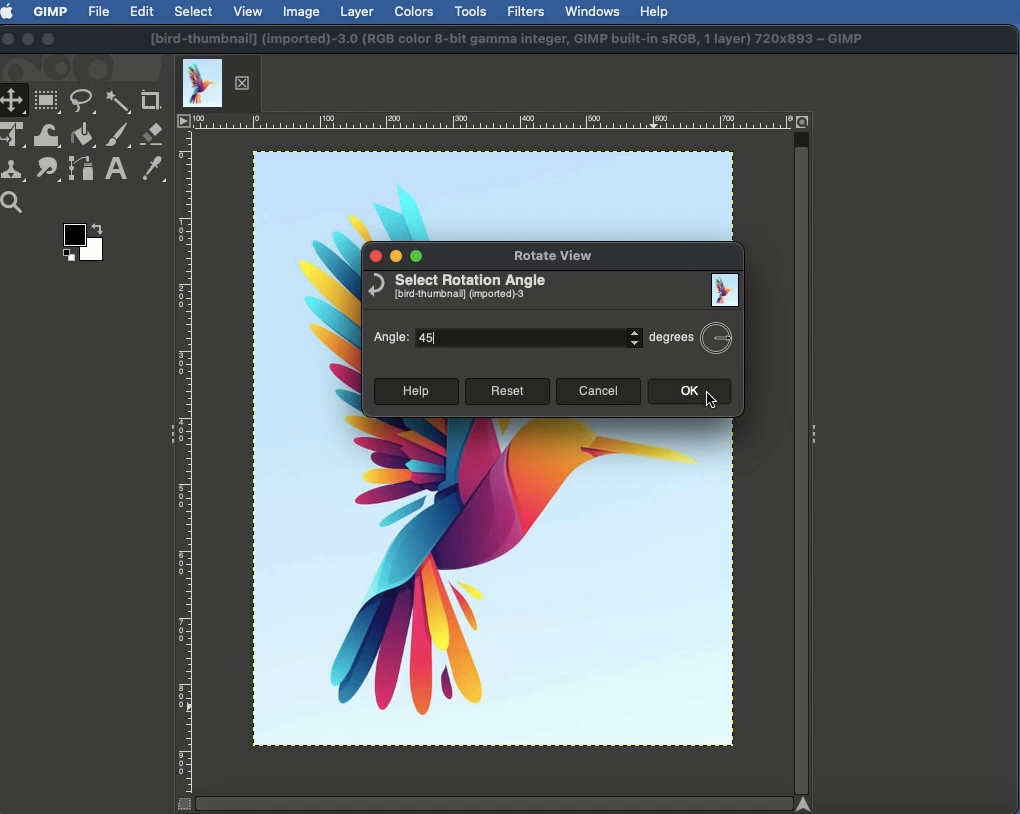 The height and width of the screenshot is (814, 1020). I want to click on Minimize, so click(395, 257).